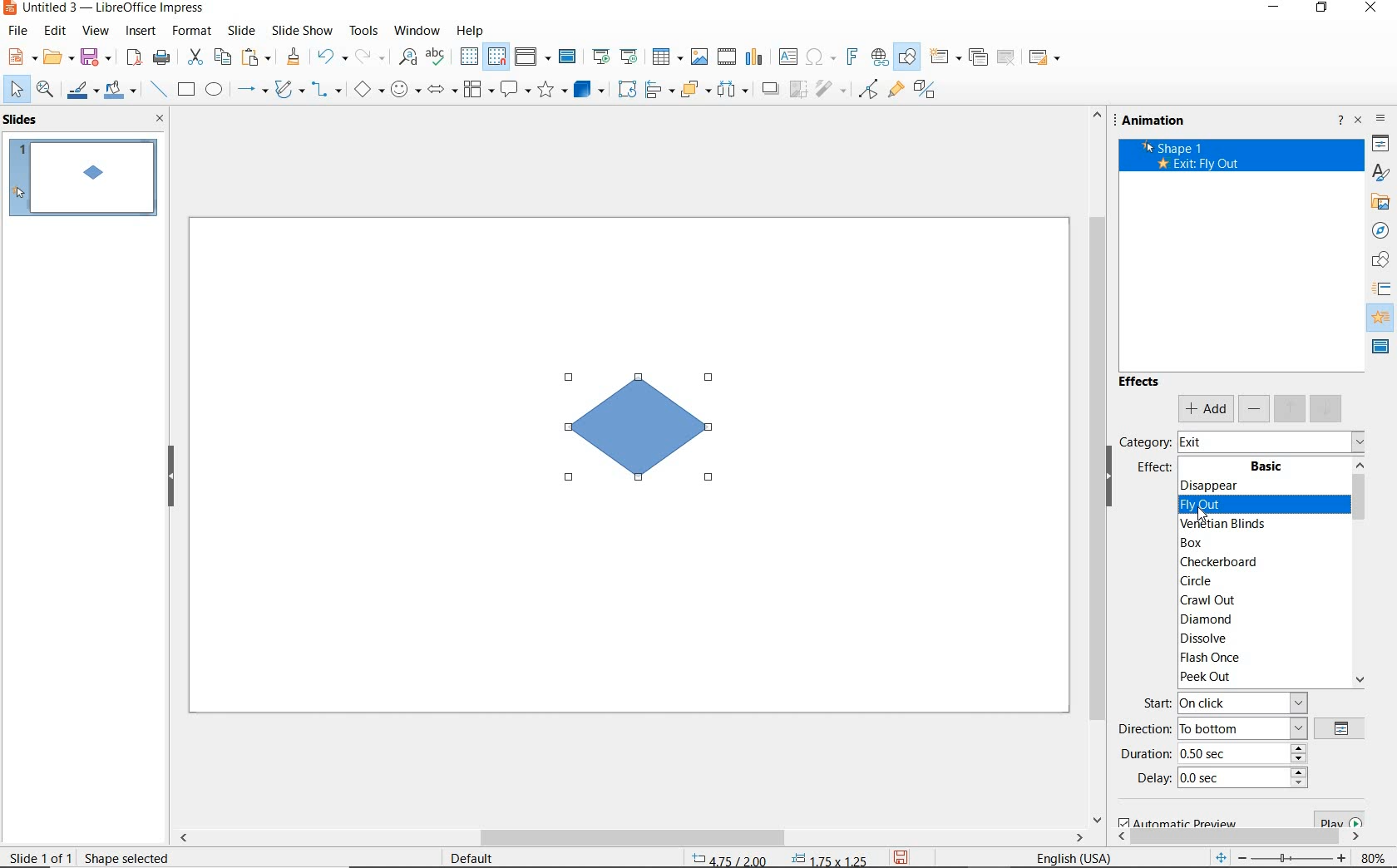 Image resolution: width=1397 pixels, height=868 pixels. What do you see at coordinates (1077, 856) in the screenshot?
I see `text language` at bounding box center [1077, 856].